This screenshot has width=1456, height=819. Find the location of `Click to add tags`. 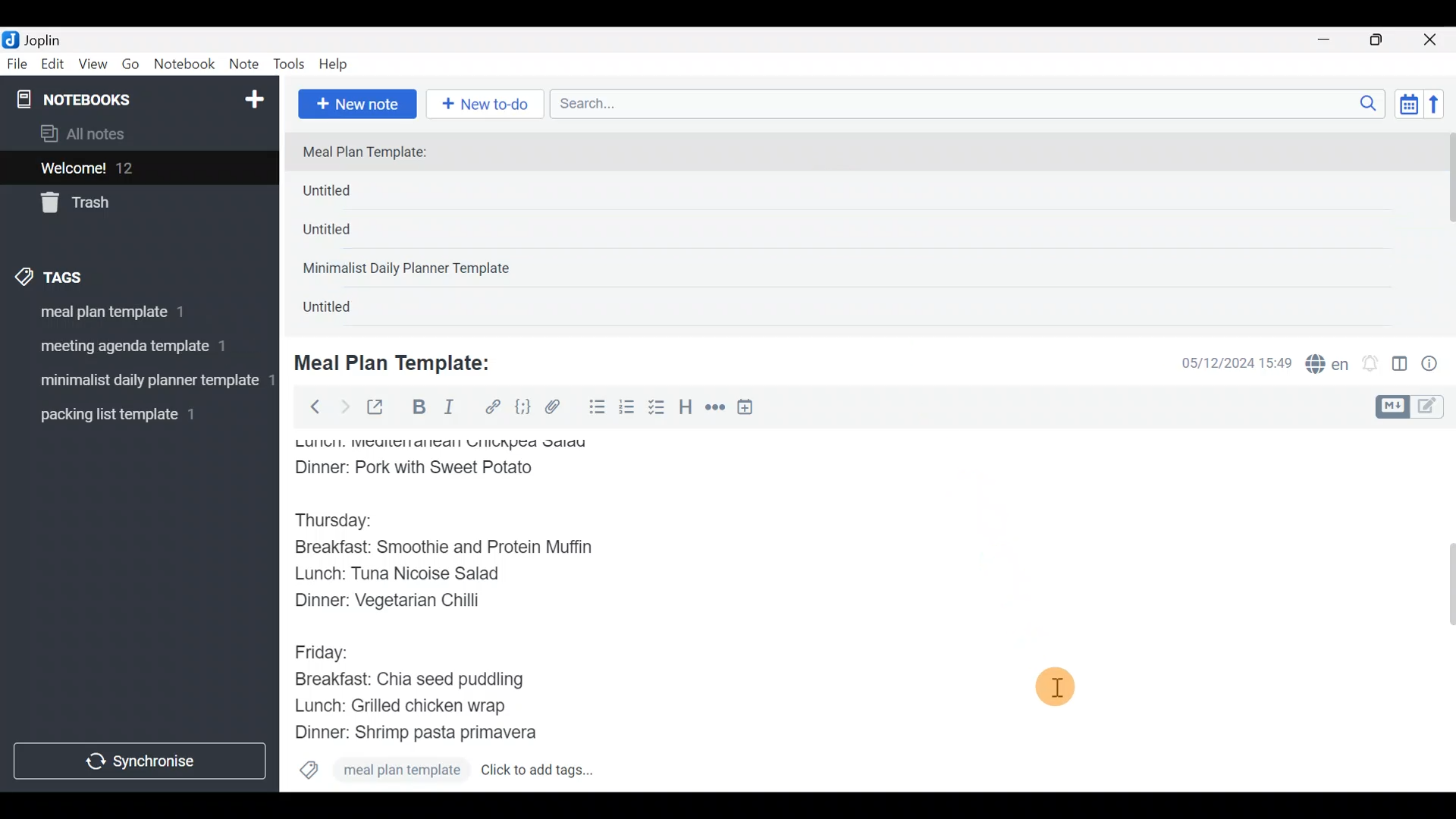

Click to add tags is located at coordinates (556, 771).